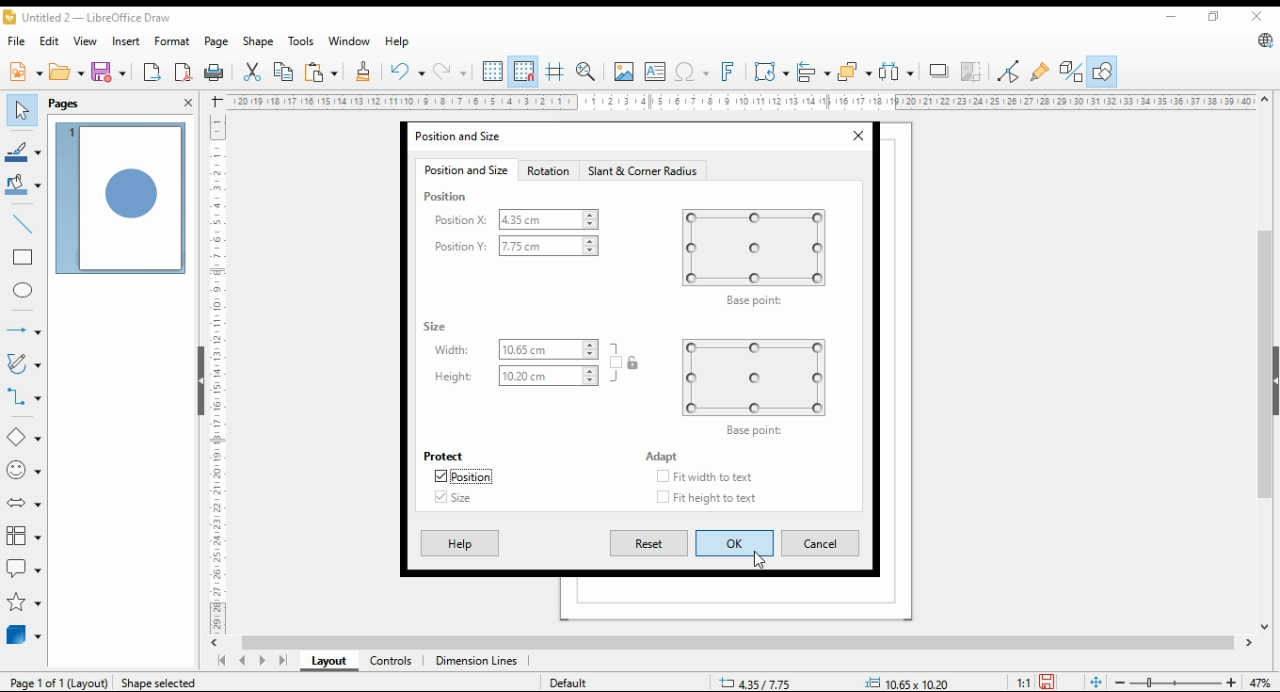 The width and height of the screenshot is (1280, 692). Describe the element at coordinates (1264, 41) in the screenshot. I see `libreoffice update` at that location.